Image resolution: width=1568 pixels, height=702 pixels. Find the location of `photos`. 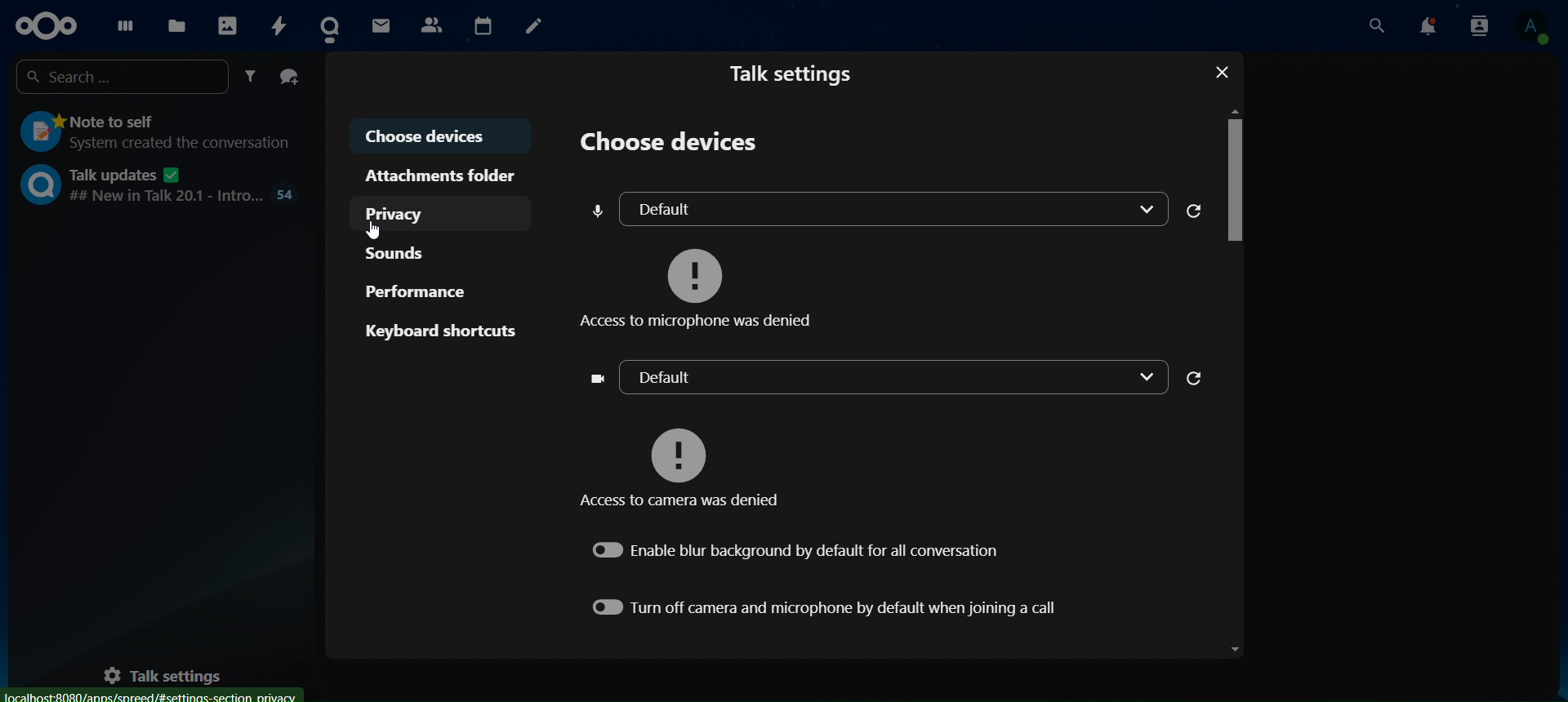

photos is located at coordinates (226, 24).